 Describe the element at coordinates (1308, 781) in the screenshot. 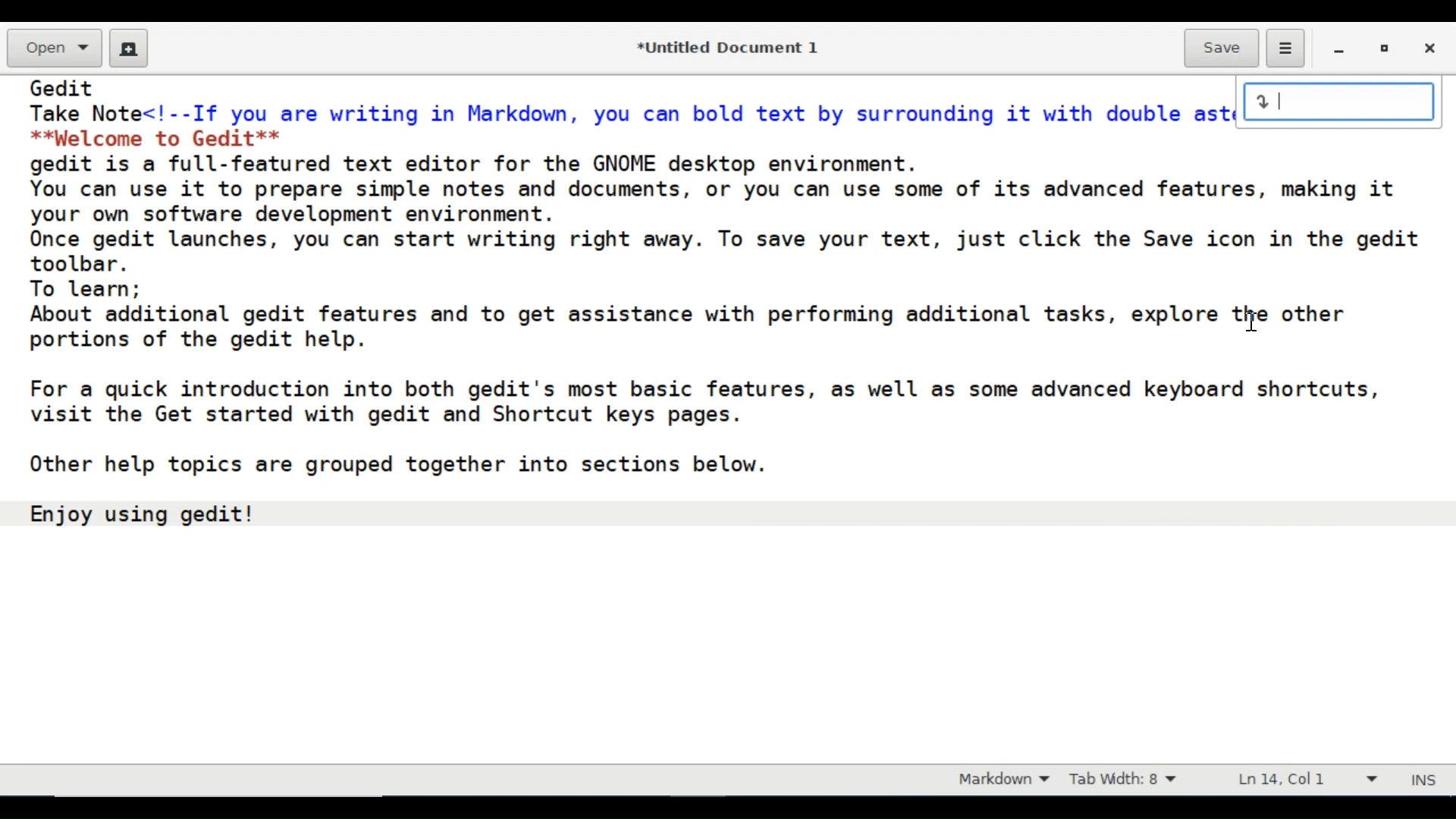

I see `Line and Column prefernce` at that location.